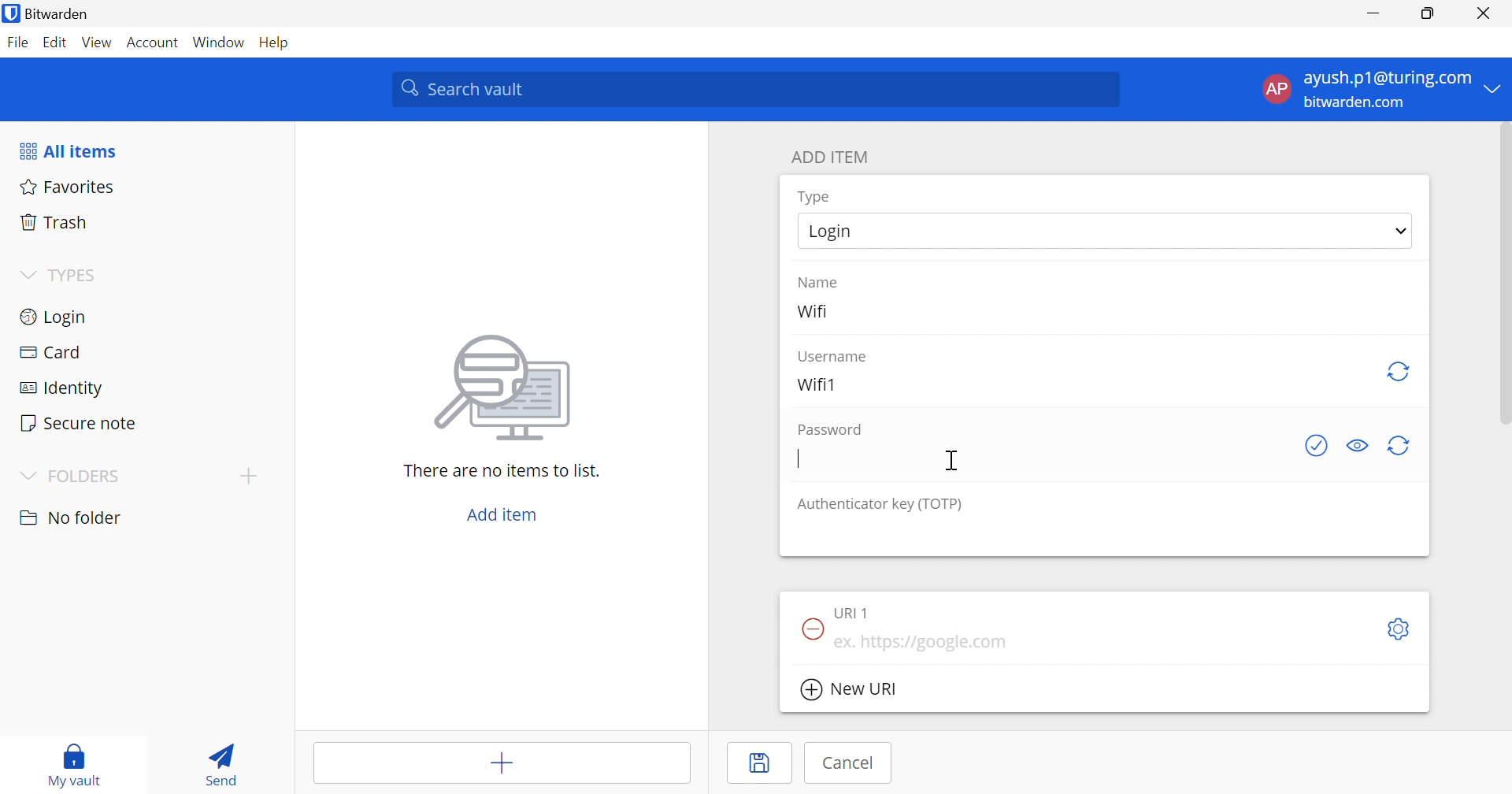 The width and height of the screenshot is (1512, 794). Describe the element at coordinates (64, 389) in the screenshot. I see `Identity` at that location.